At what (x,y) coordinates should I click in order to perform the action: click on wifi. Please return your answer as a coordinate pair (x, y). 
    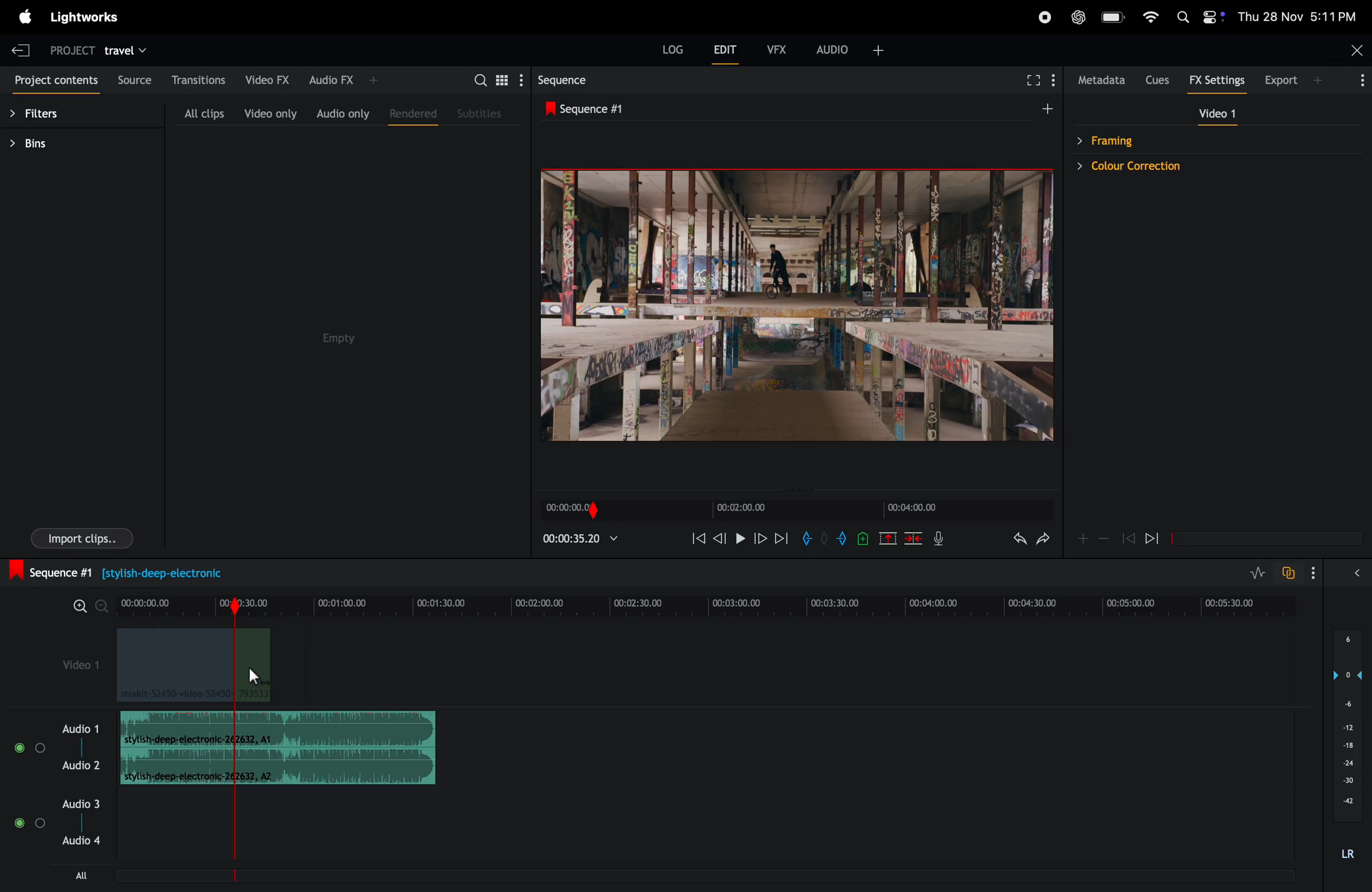
    Looking at the image, I should click on (1151, 16).